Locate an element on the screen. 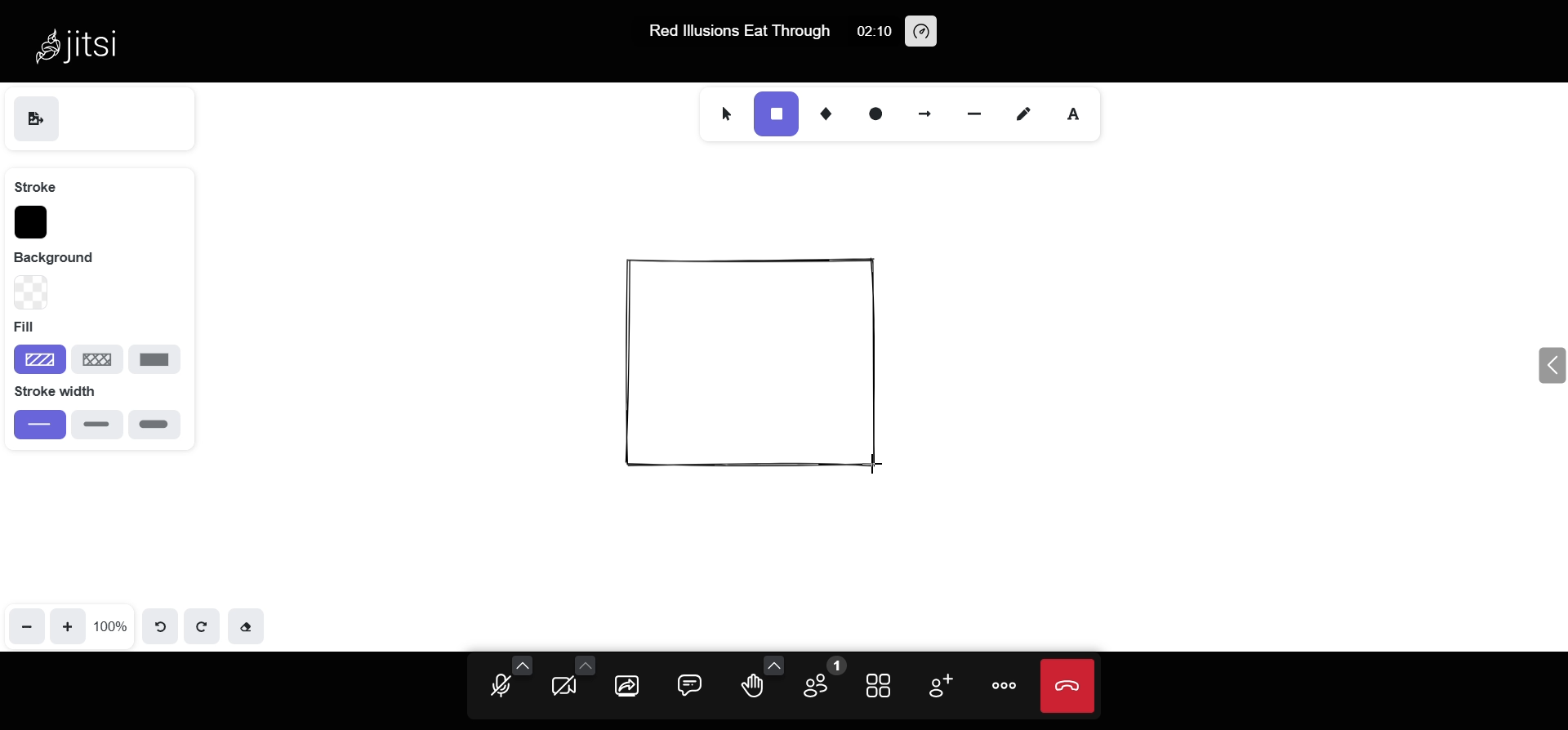  tile view is located at coordinates (881, 684).